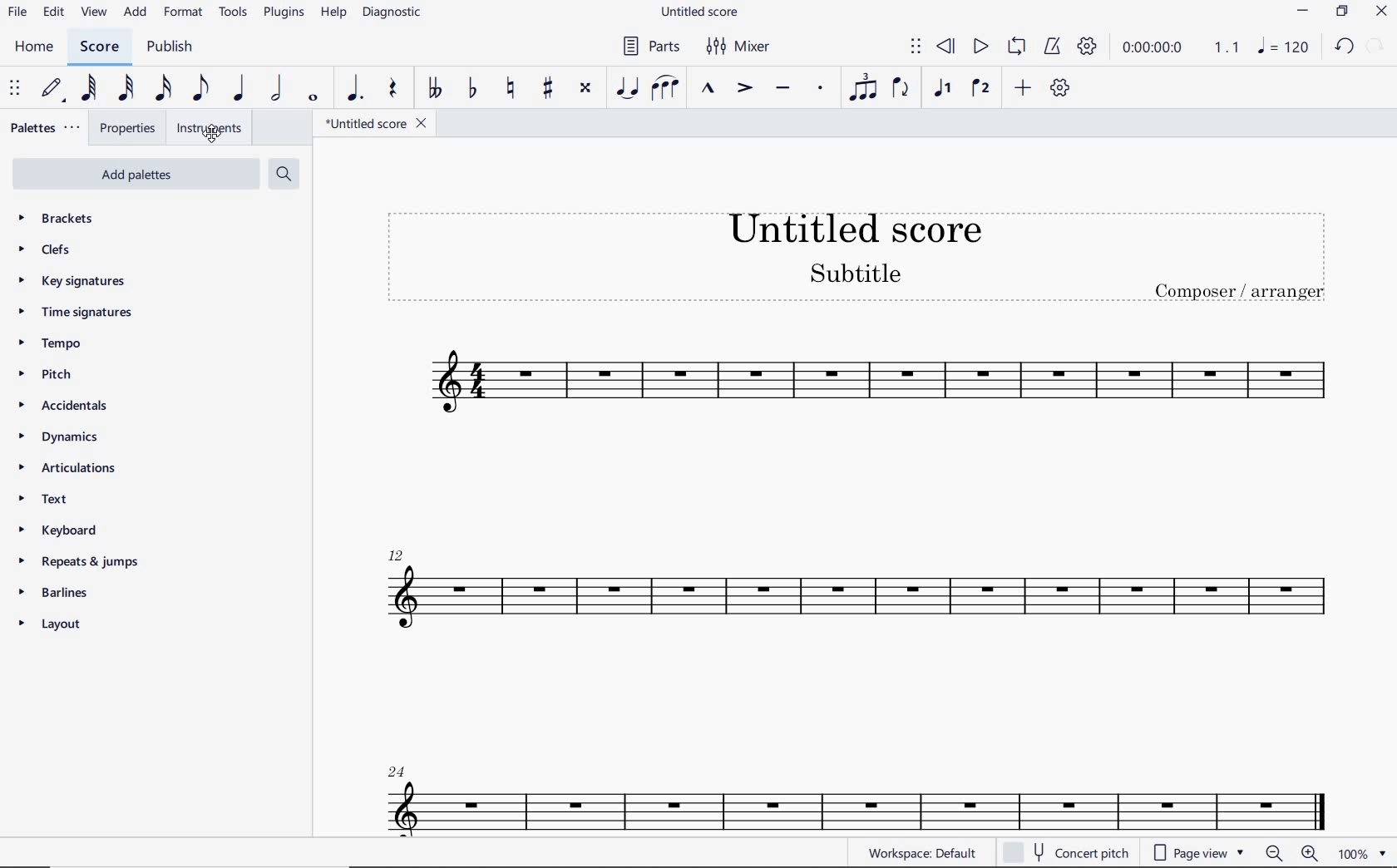 Image resolution: width=1397 pixels, height=868 pixels. I want to click on PLAYBACK SETTINGS, so click(1087, 47).